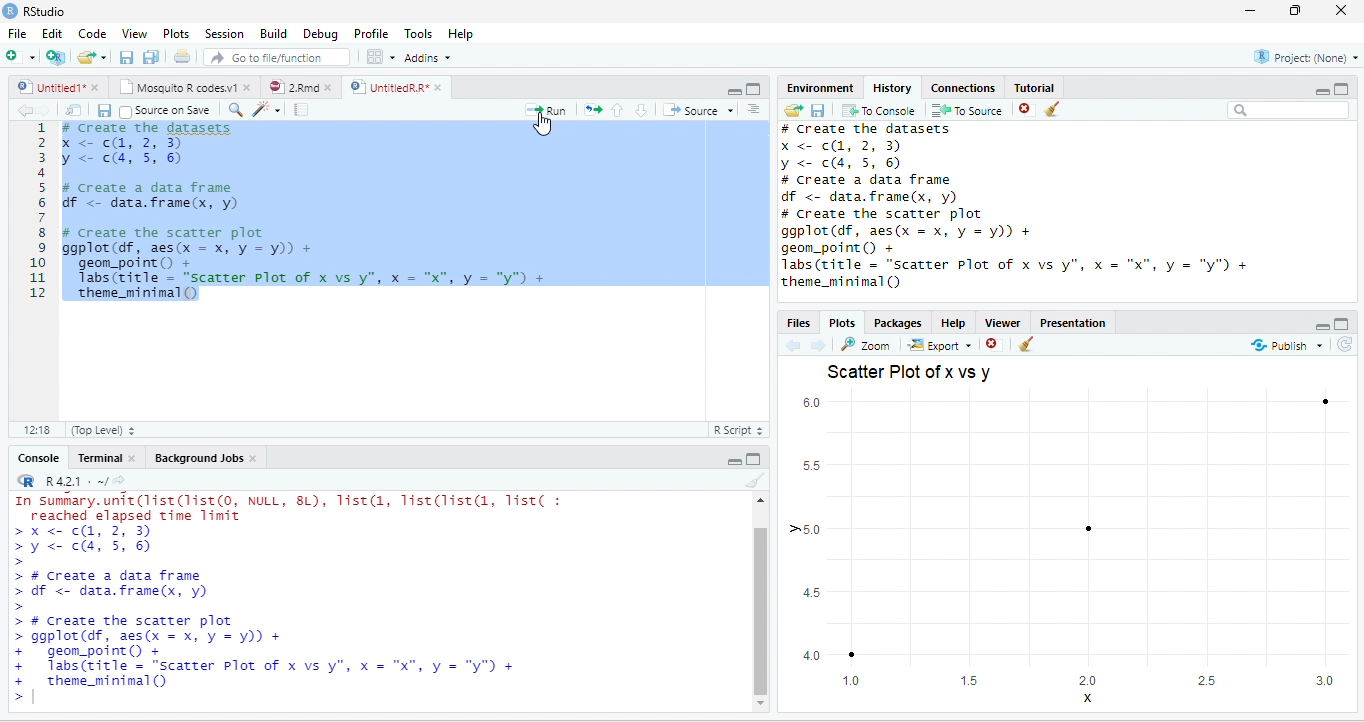  Describe the element at coordinates (36, 212) in the screenshot. I see `Line numbers` at that location.